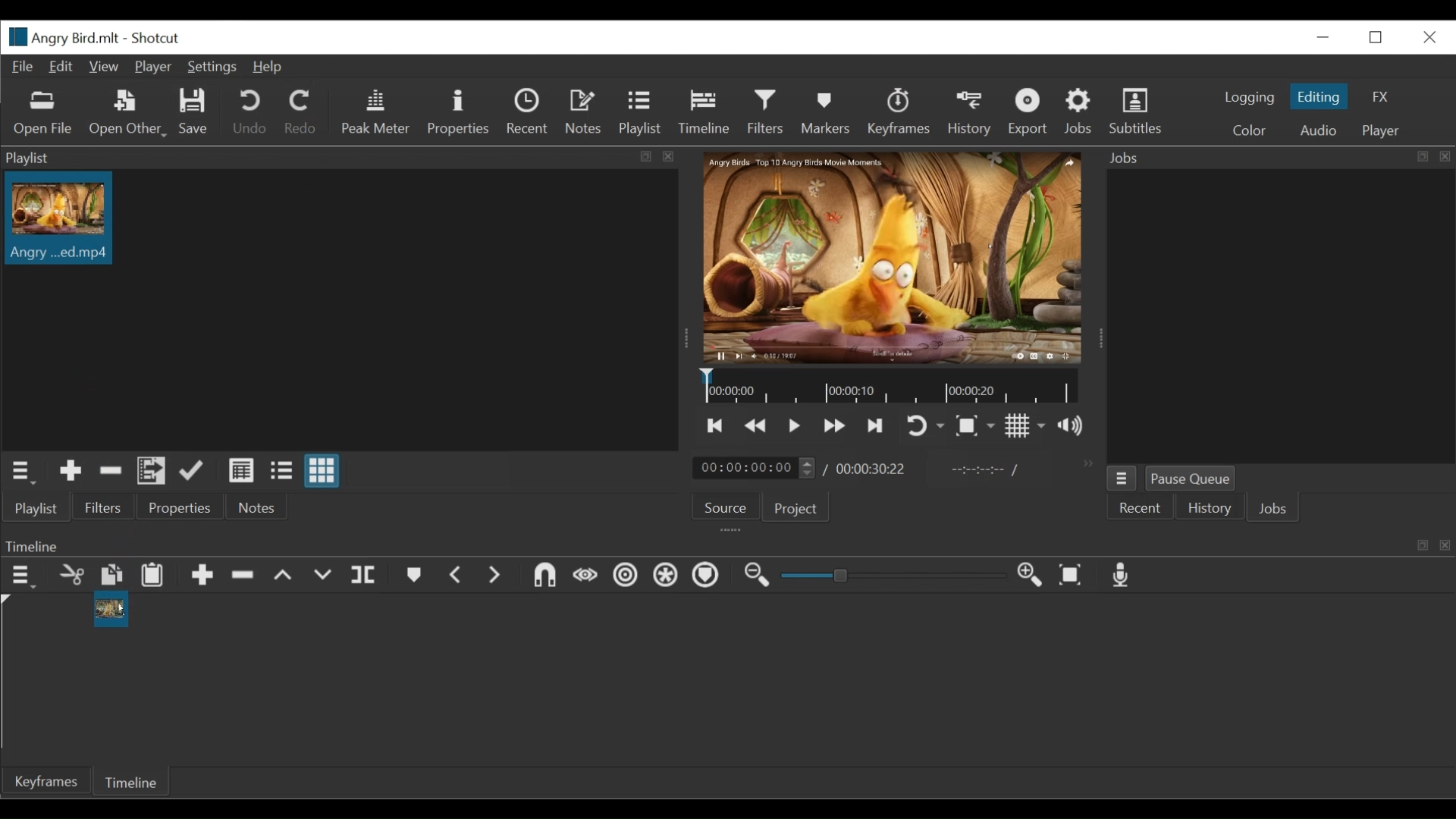 This screenshot has height=819, width=1456. I want to click on Add Source to the playlist, so click(71, 471).